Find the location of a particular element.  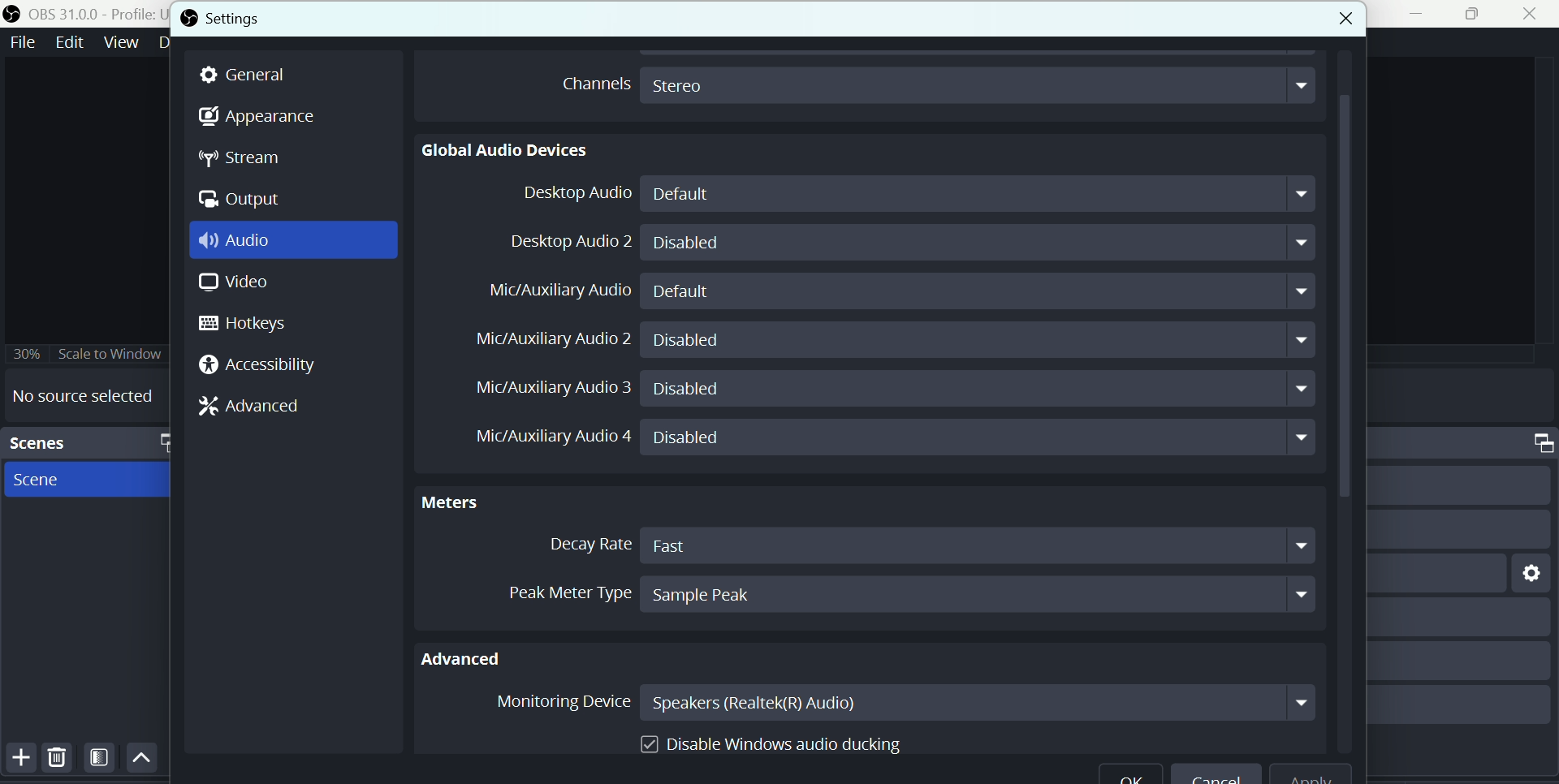

Meters is located at coordinates (463, 500).